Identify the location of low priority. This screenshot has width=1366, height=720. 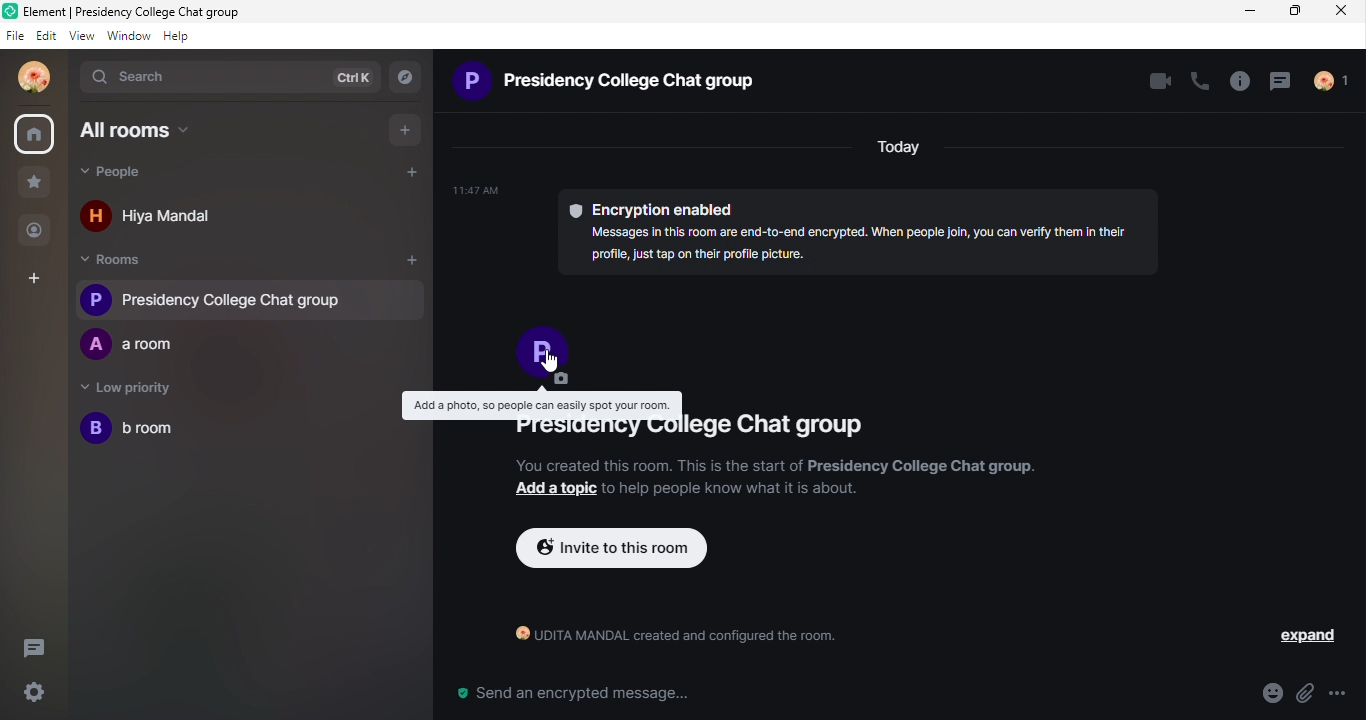
(133, 390).